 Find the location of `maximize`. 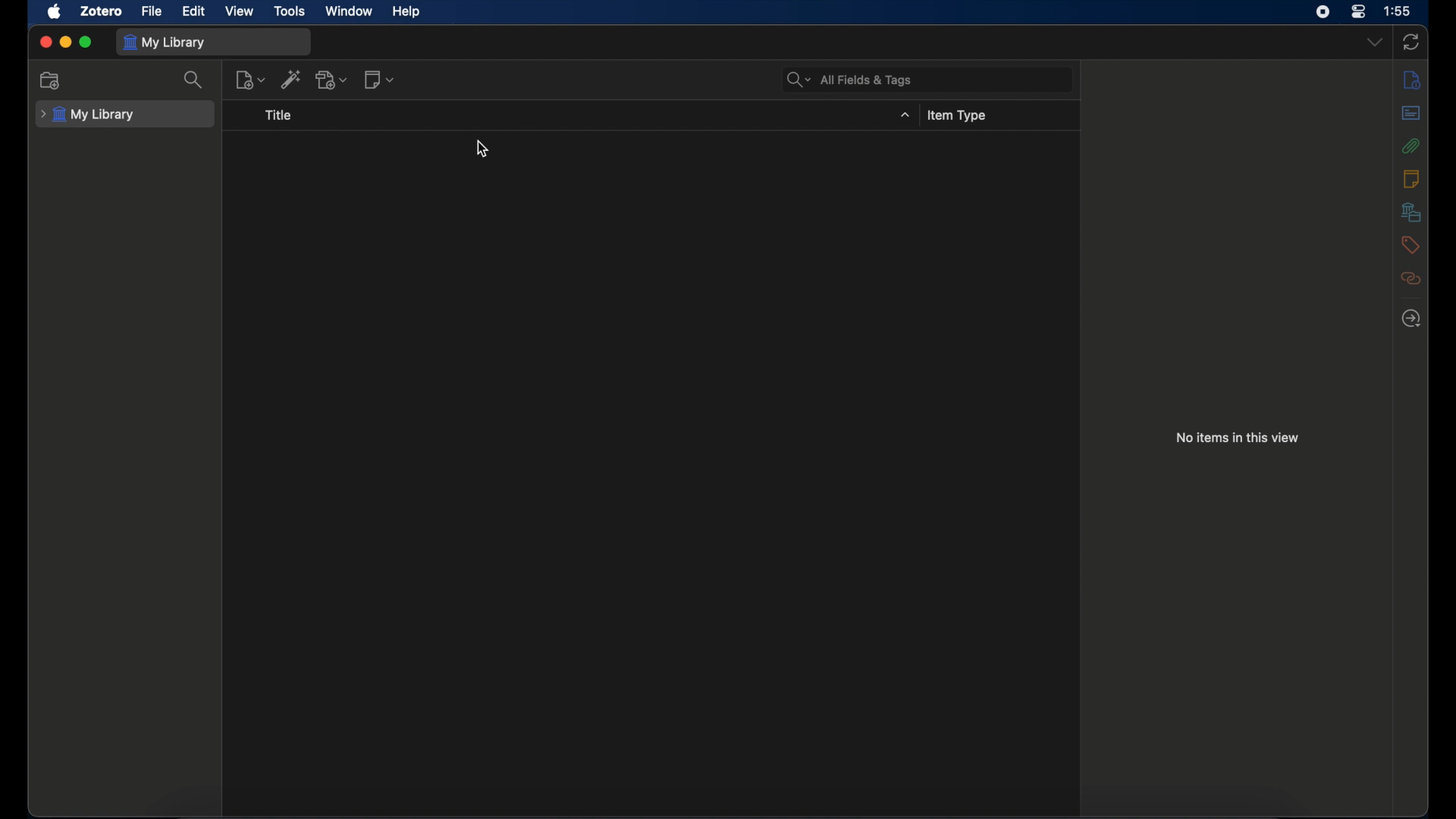

maximize is located at coordinates (86, 42).